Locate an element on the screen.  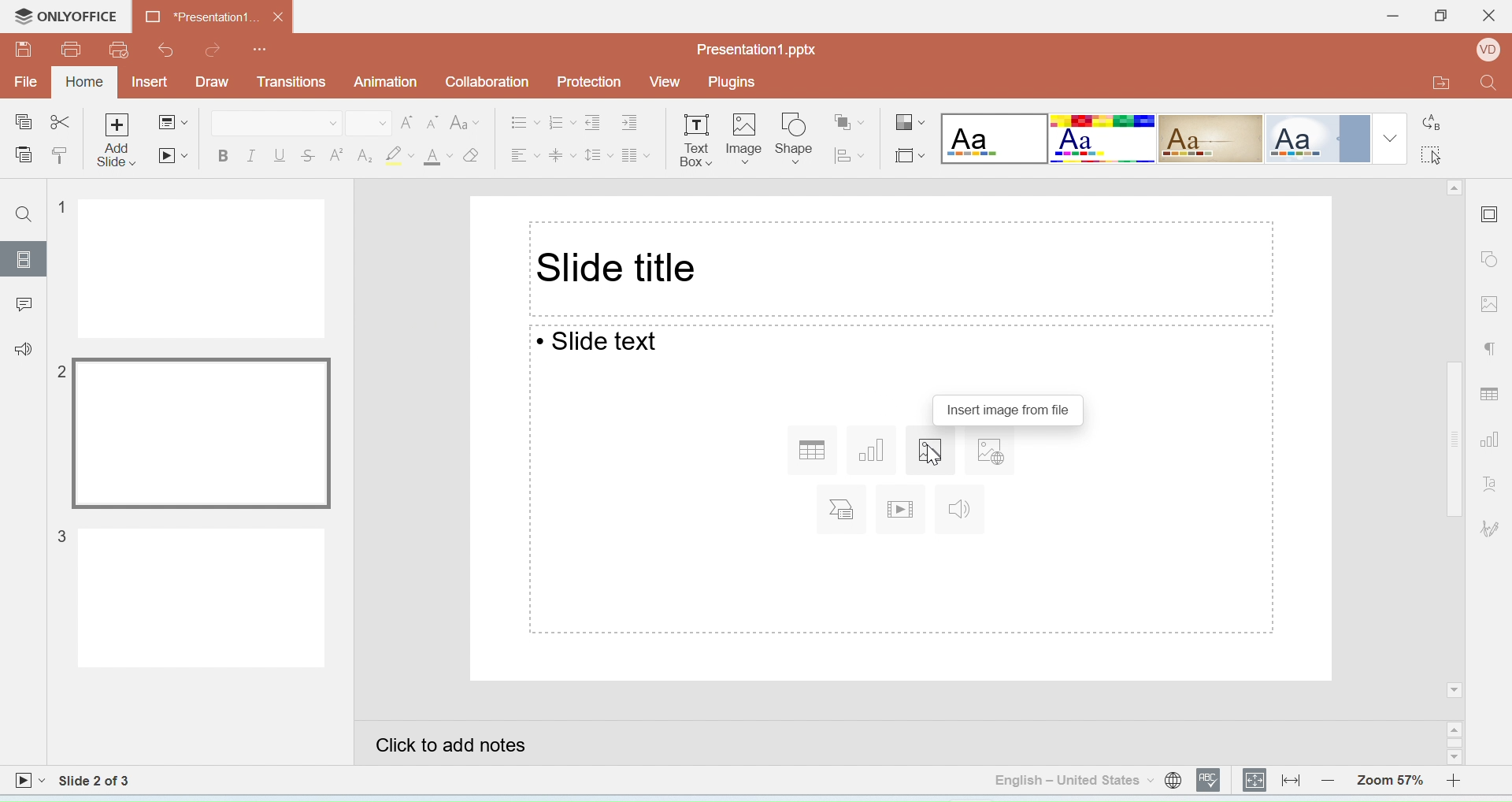
Text art settings is located at coordinates (1490, 483).